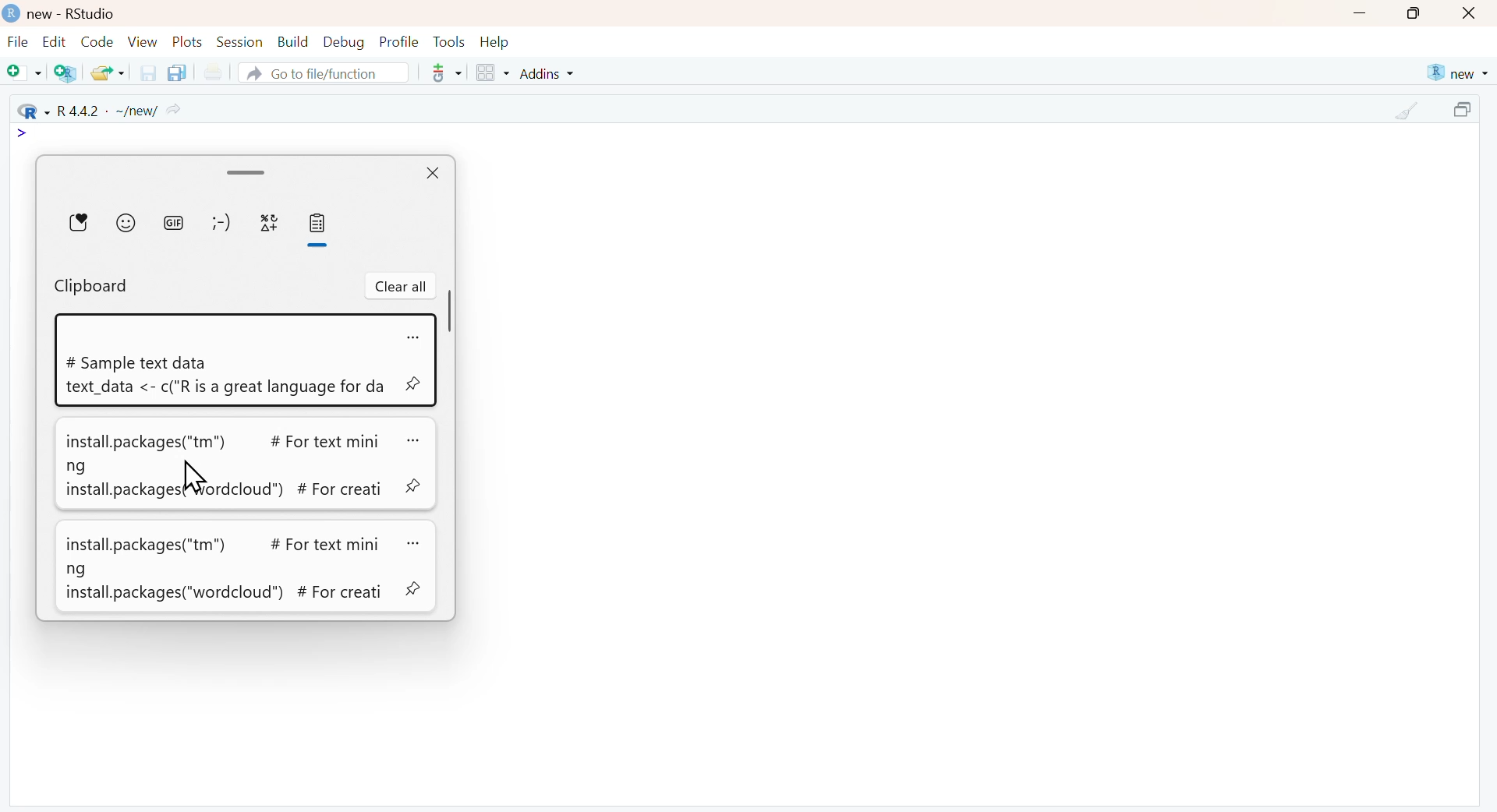 This screenshot has height=812, width=1497. What do you see at coordinates (217, 72) in the screenshot?
I see `Print` at bounding box center [217, 72].